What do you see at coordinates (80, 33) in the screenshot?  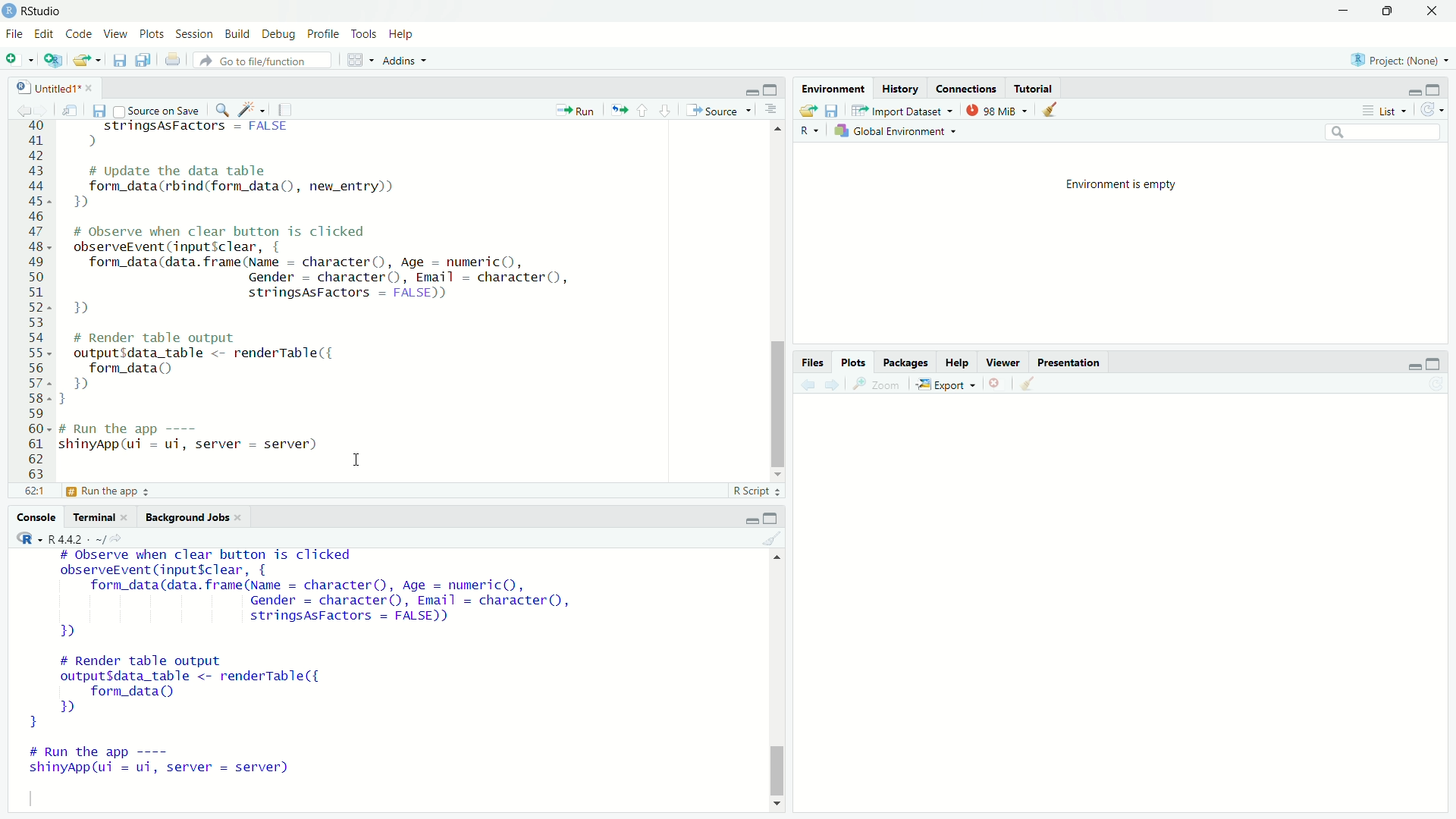 I see `Code` at bounding box center [80, 33].